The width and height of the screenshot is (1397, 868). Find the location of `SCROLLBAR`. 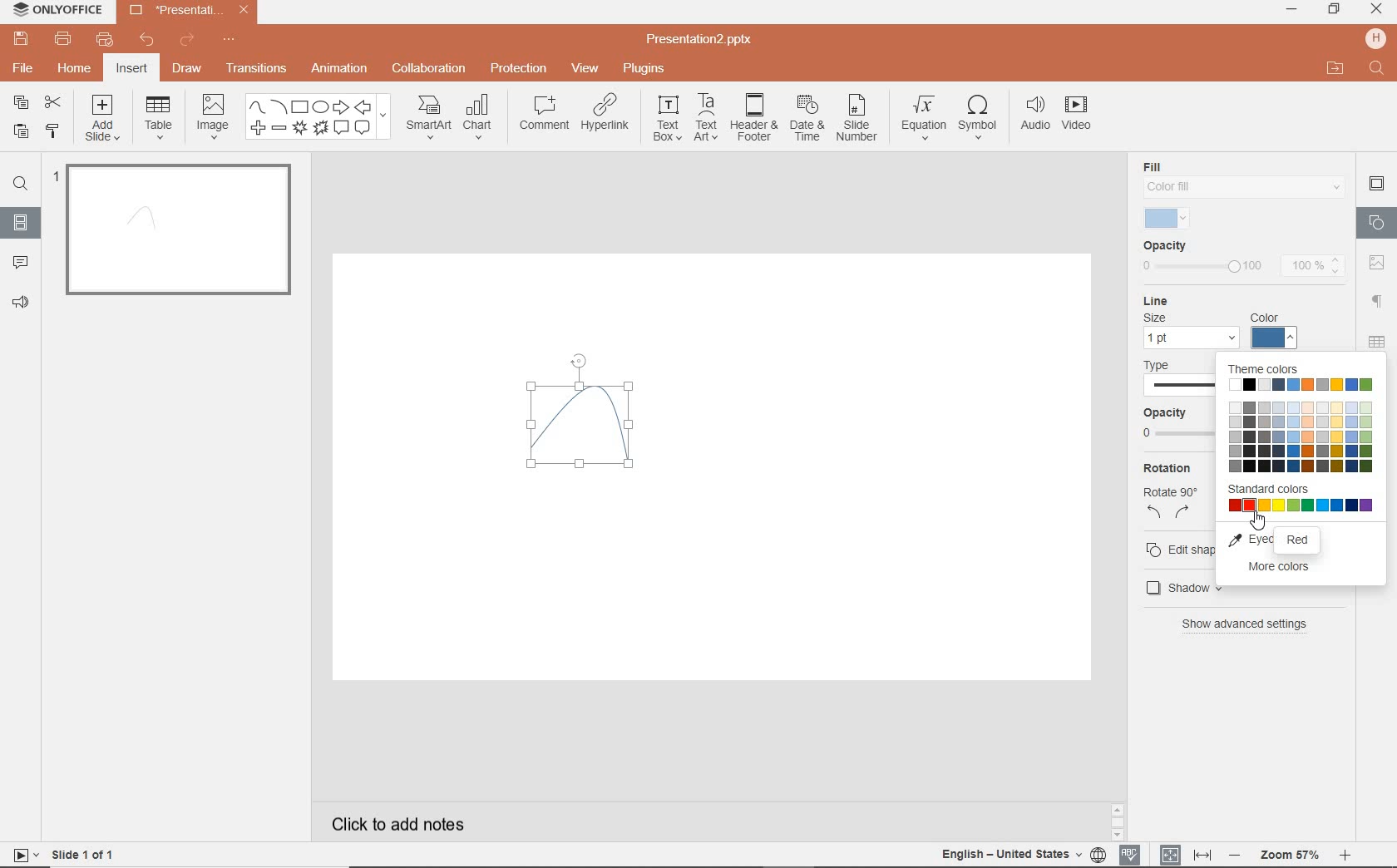

SCROLLBAR is located at coordinates (1118, 820).